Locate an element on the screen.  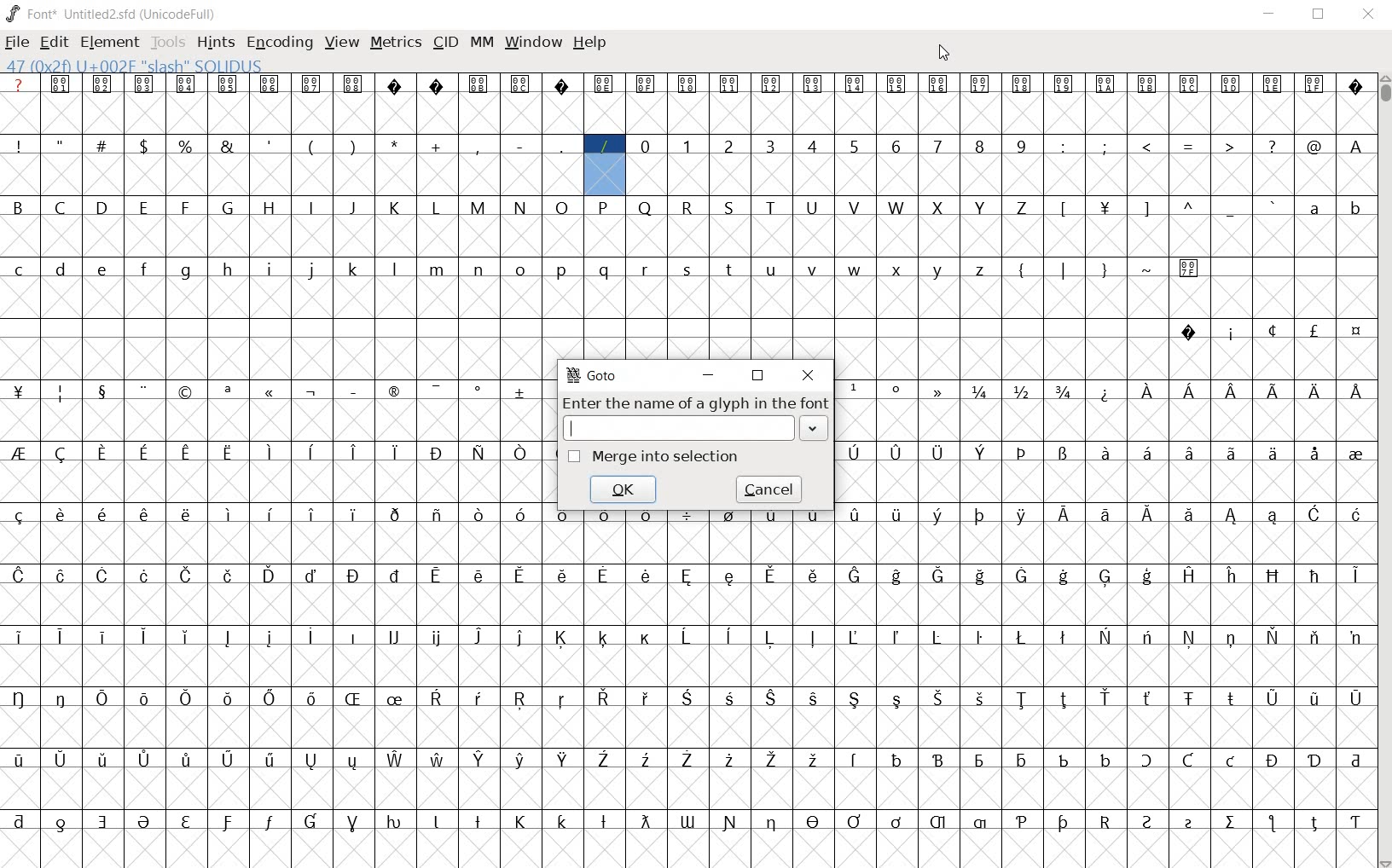
glyph is located at coordinates (270, 145).